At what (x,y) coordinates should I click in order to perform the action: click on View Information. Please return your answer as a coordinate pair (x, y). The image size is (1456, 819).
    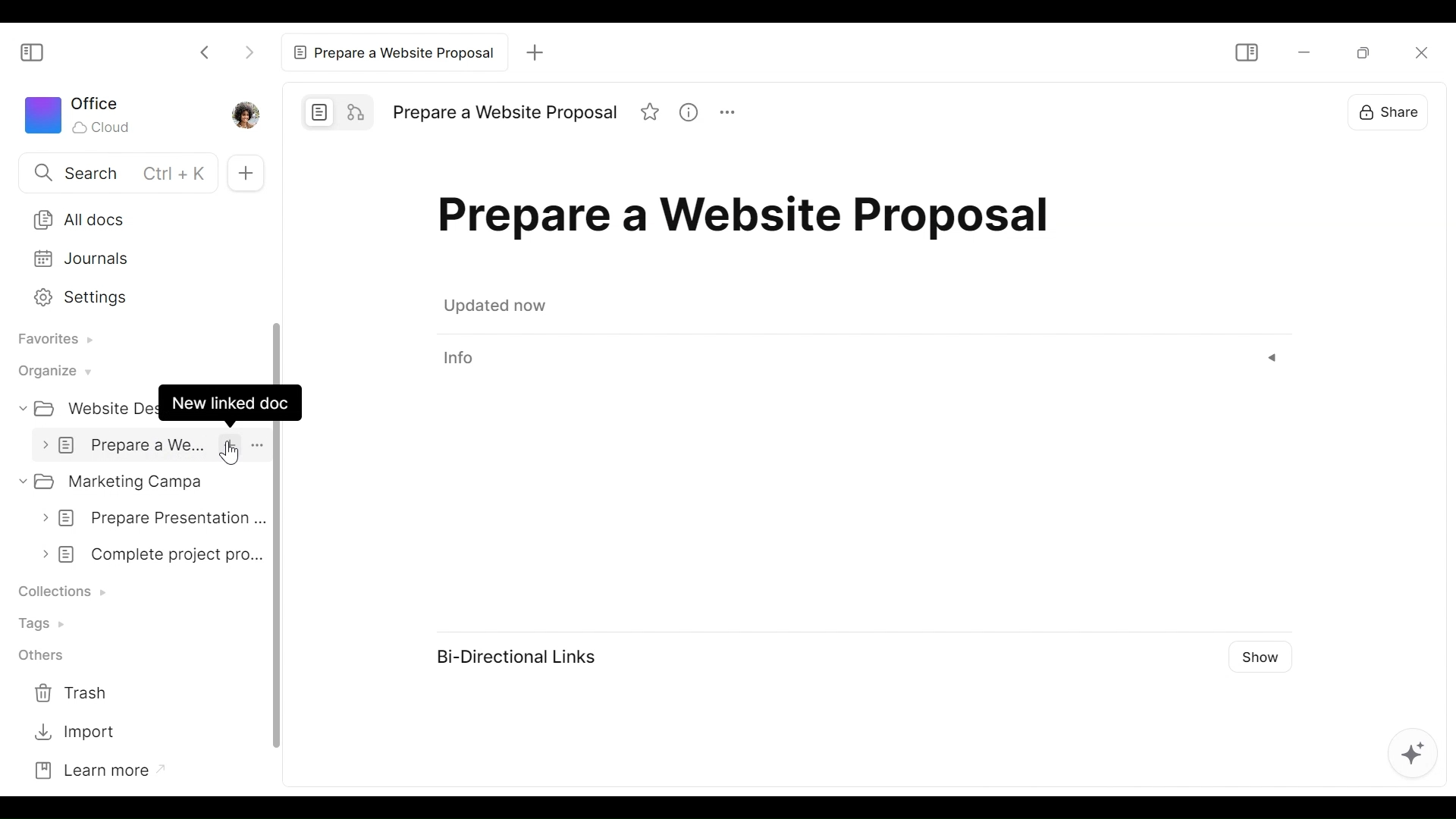
    Looking at the image, I should click on (861, 358).